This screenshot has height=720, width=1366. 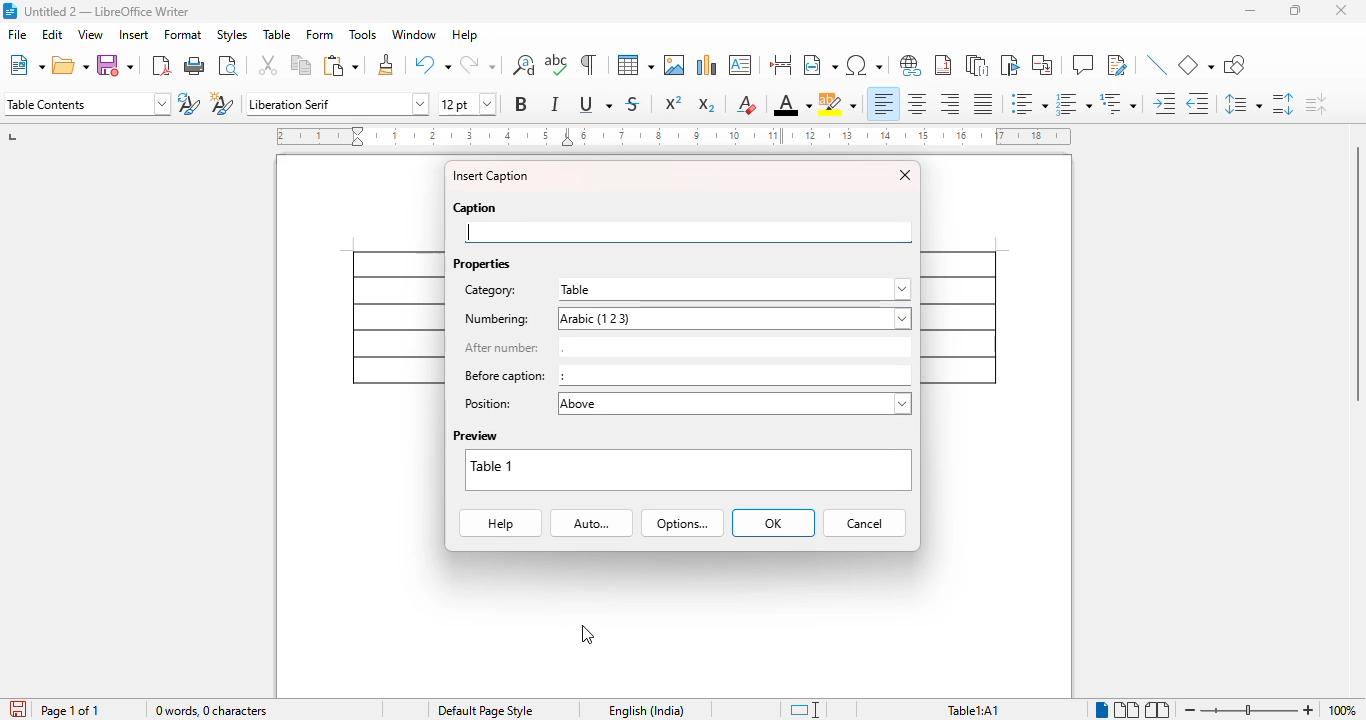 I want to click on styles, so click(x=232, y=35).